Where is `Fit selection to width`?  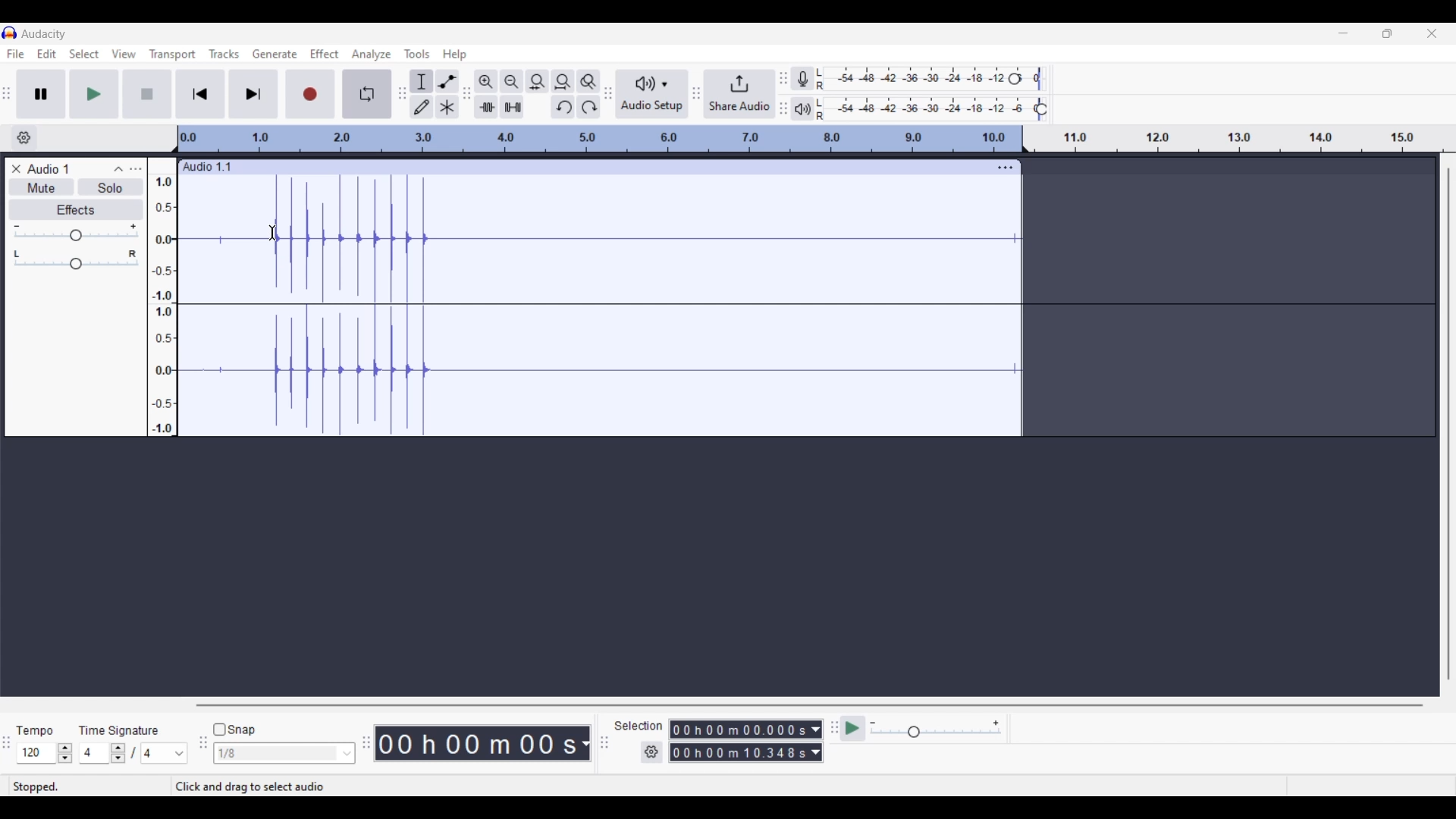 Fit selection to width is located at coordinates (537, 81).